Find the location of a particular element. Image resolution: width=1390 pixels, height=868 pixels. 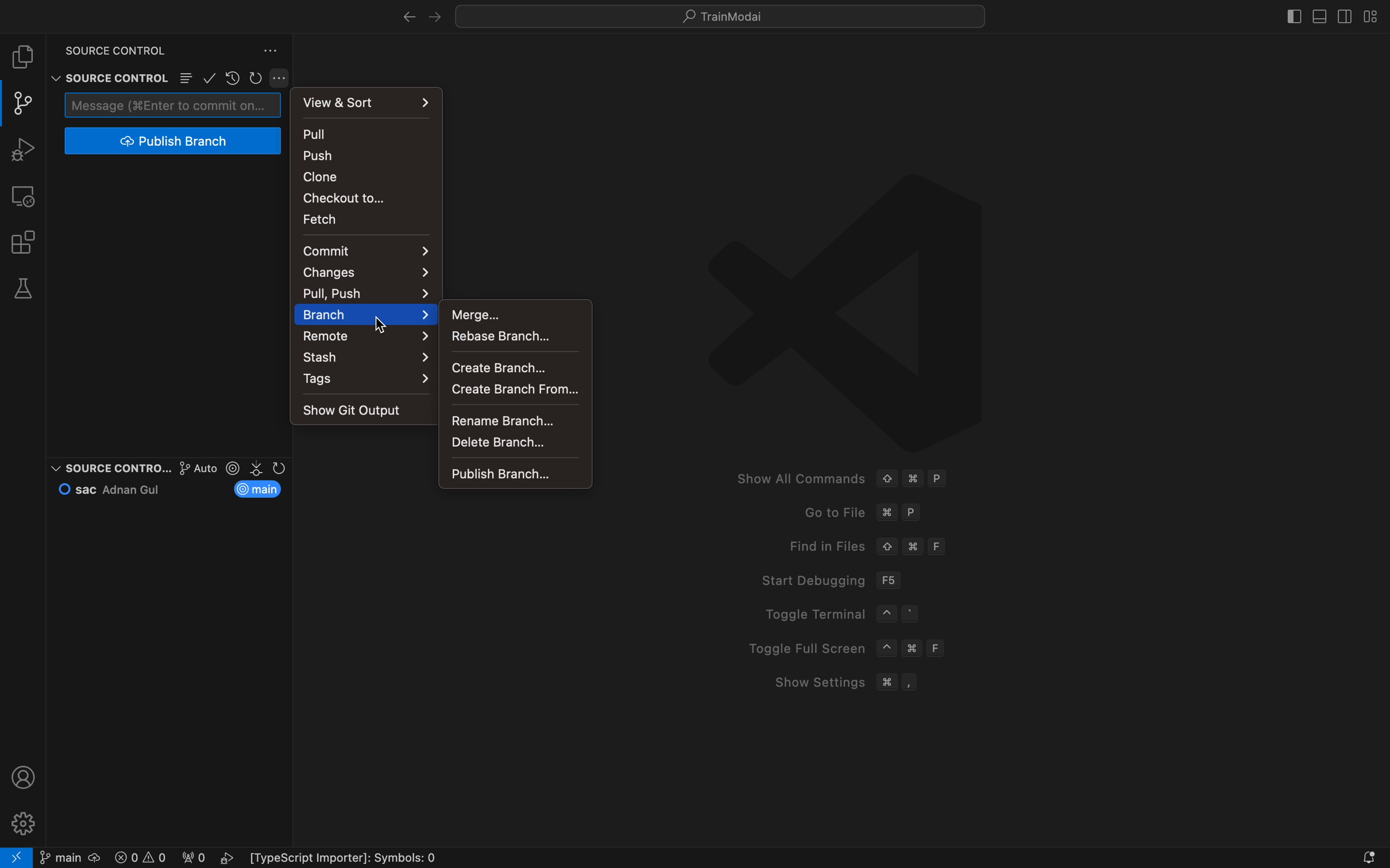

detail branch is located at coordinates (514, 443).